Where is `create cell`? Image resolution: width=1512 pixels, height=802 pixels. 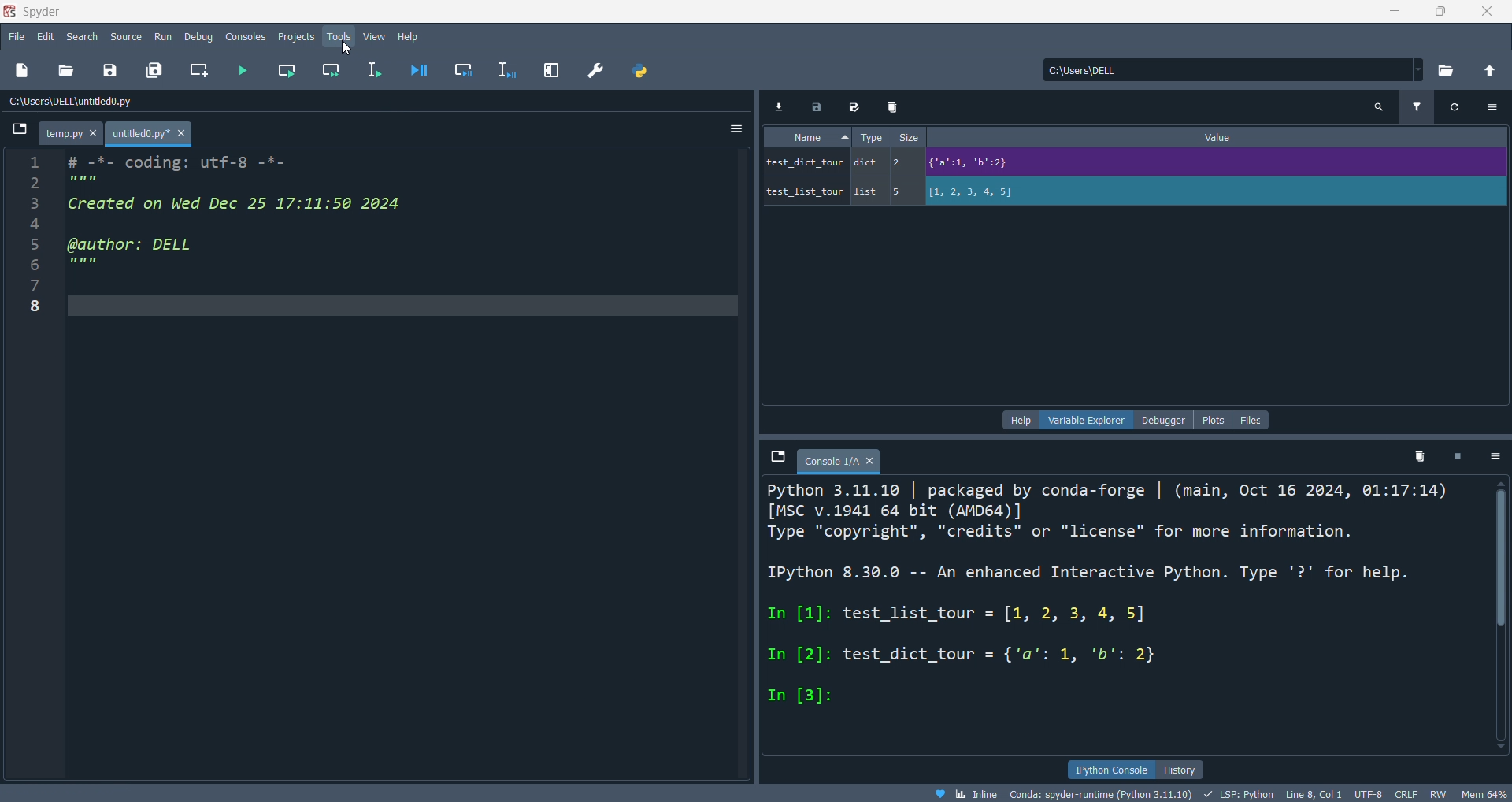
create cell is located at coordinates (200, 71).